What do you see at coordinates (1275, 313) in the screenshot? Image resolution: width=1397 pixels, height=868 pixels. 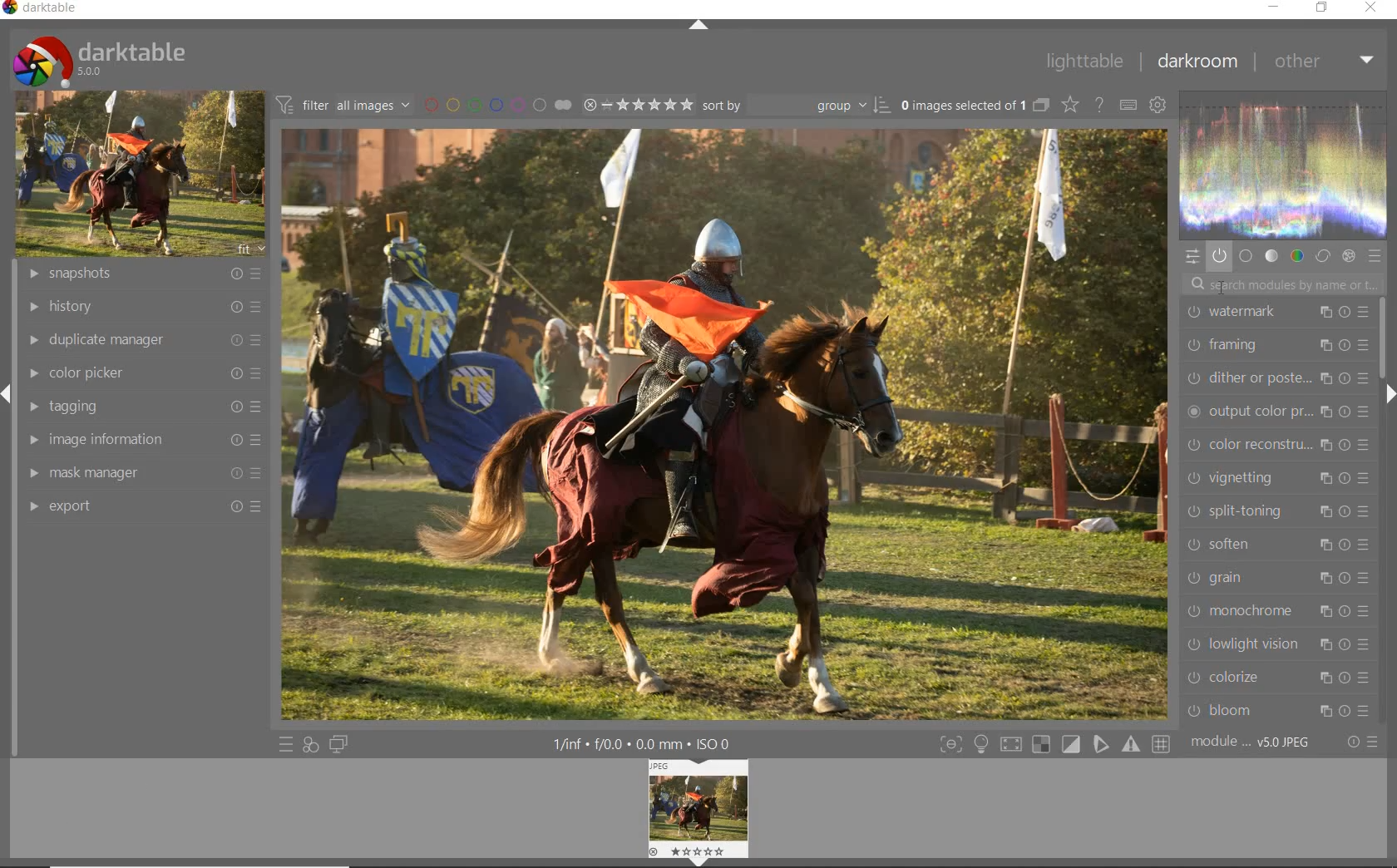 I see `watermark` at bounding box center [1275, 313].